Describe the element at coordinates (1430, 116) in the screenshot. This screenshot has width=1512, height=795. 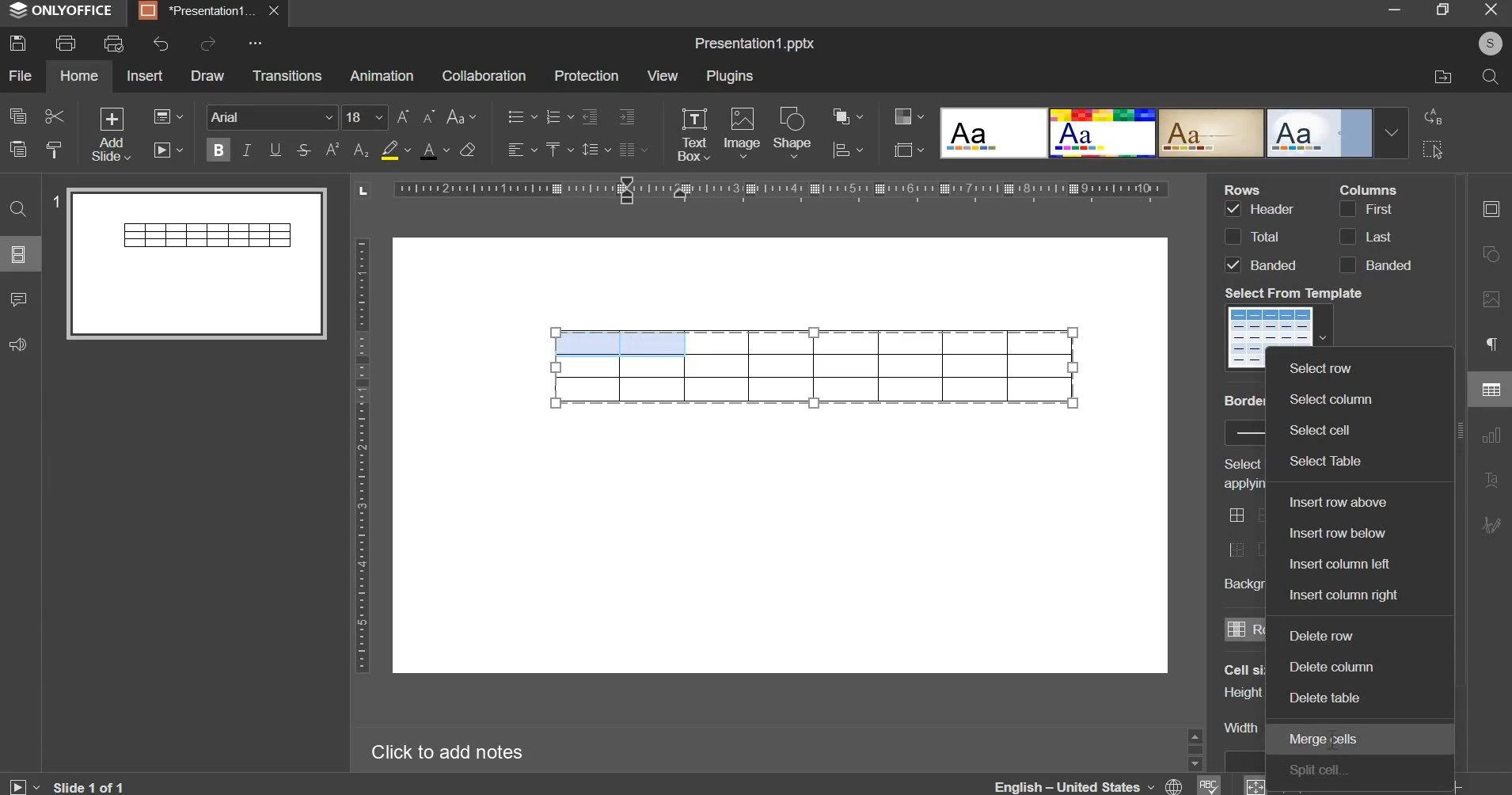
I see `replace` at that location.